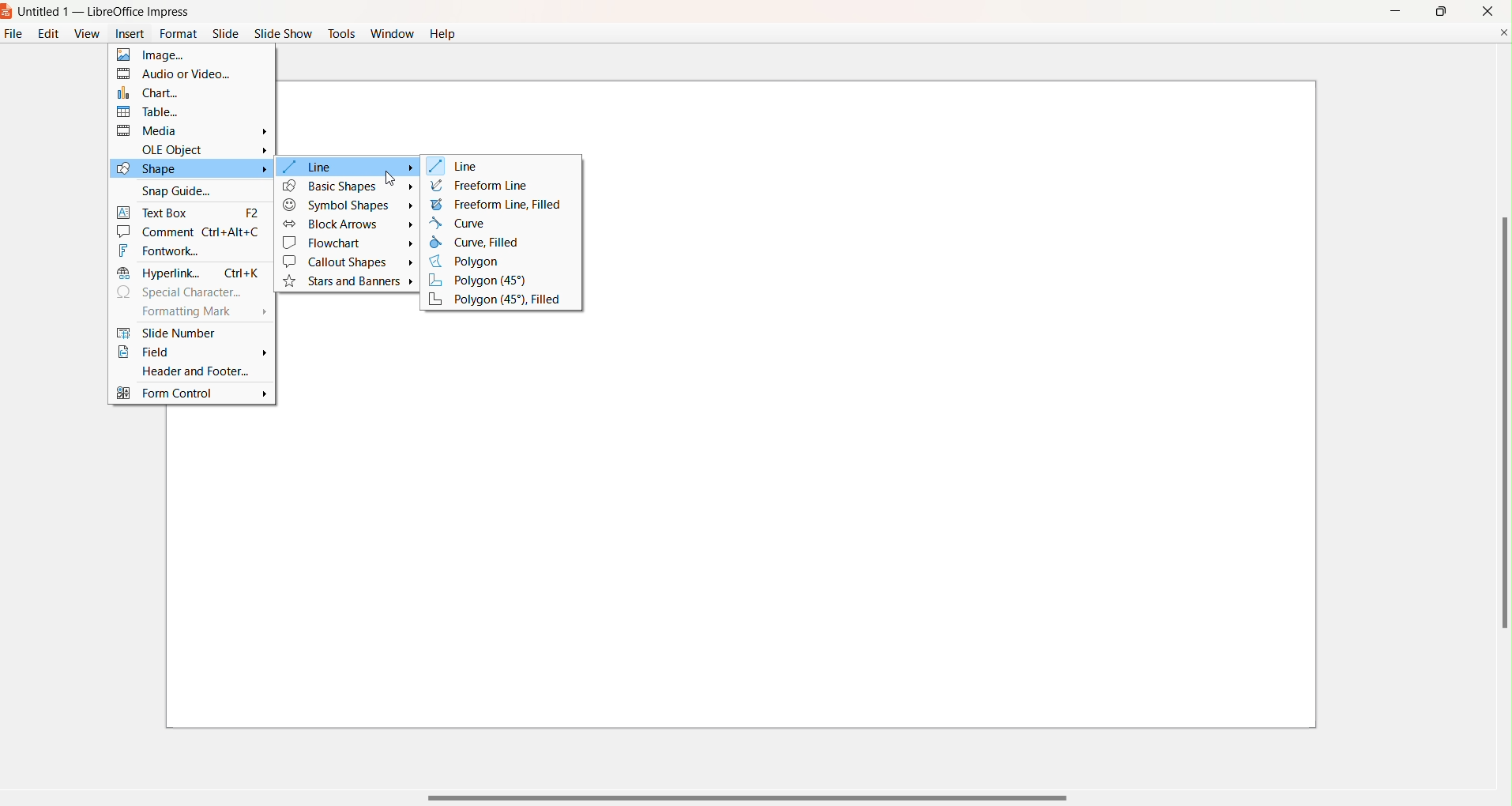 The width and height of the screenshot is (1512, 806). What do you see at coordinates (464, 223) in the screenshot?
I see `Curve` at bounding box center [464, 223].